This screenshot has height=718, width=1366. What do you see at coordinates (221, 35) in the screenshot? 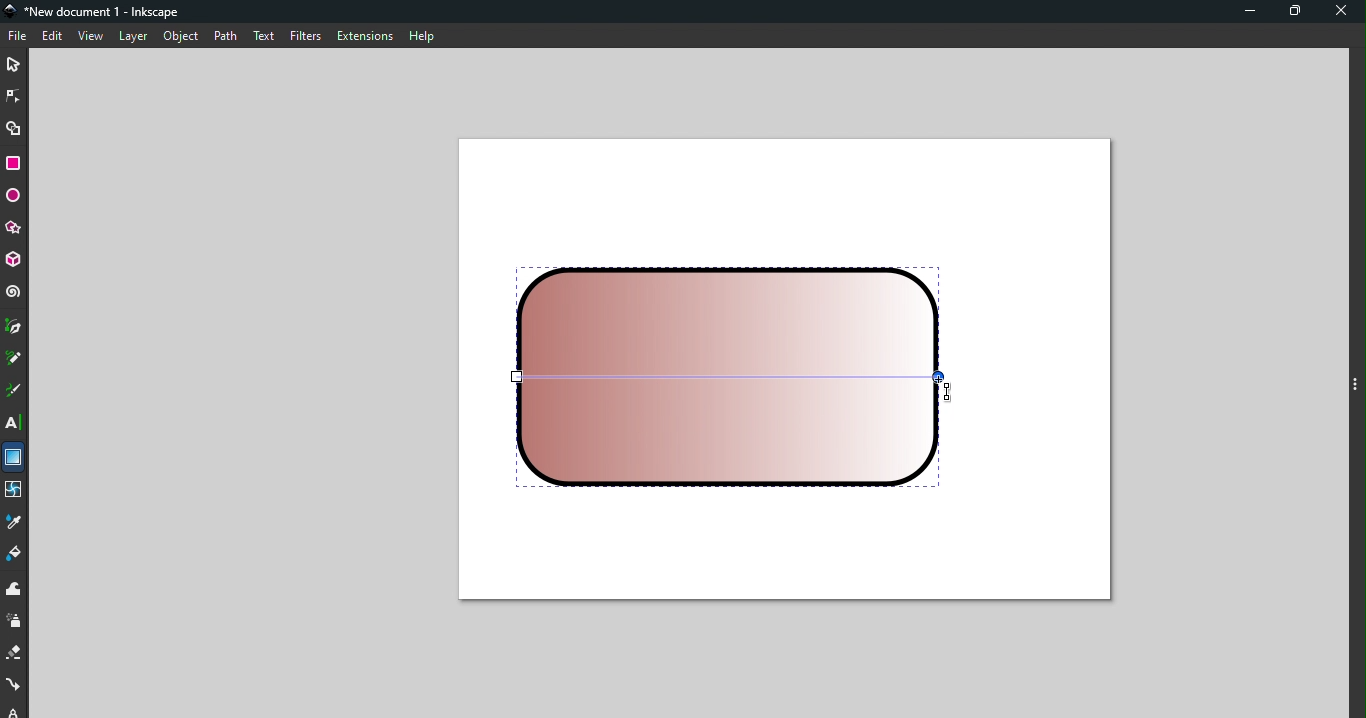
I see `Path` at bounding box center [221, 35].